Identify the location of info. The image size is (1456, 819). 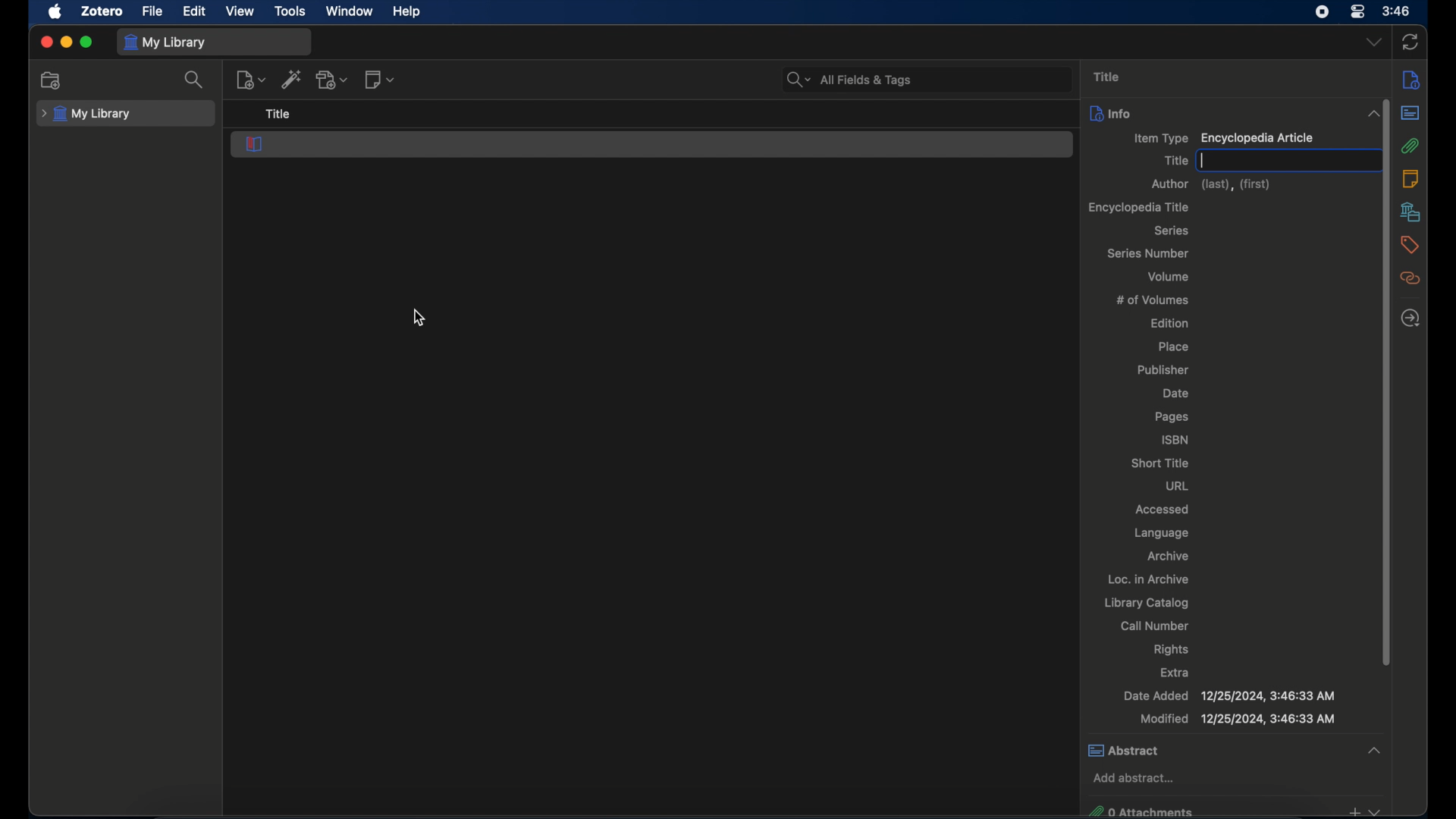
(1410, 79).